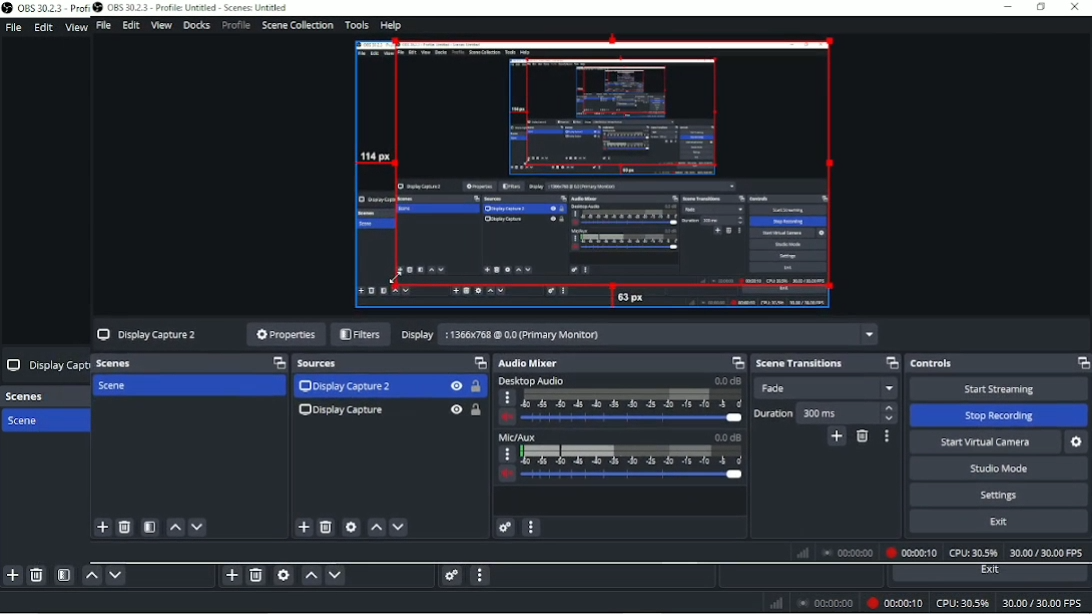  What do you see at coordinates (396, 24) in the screenshot?
I see `Help` at bounding box center [396, 24].